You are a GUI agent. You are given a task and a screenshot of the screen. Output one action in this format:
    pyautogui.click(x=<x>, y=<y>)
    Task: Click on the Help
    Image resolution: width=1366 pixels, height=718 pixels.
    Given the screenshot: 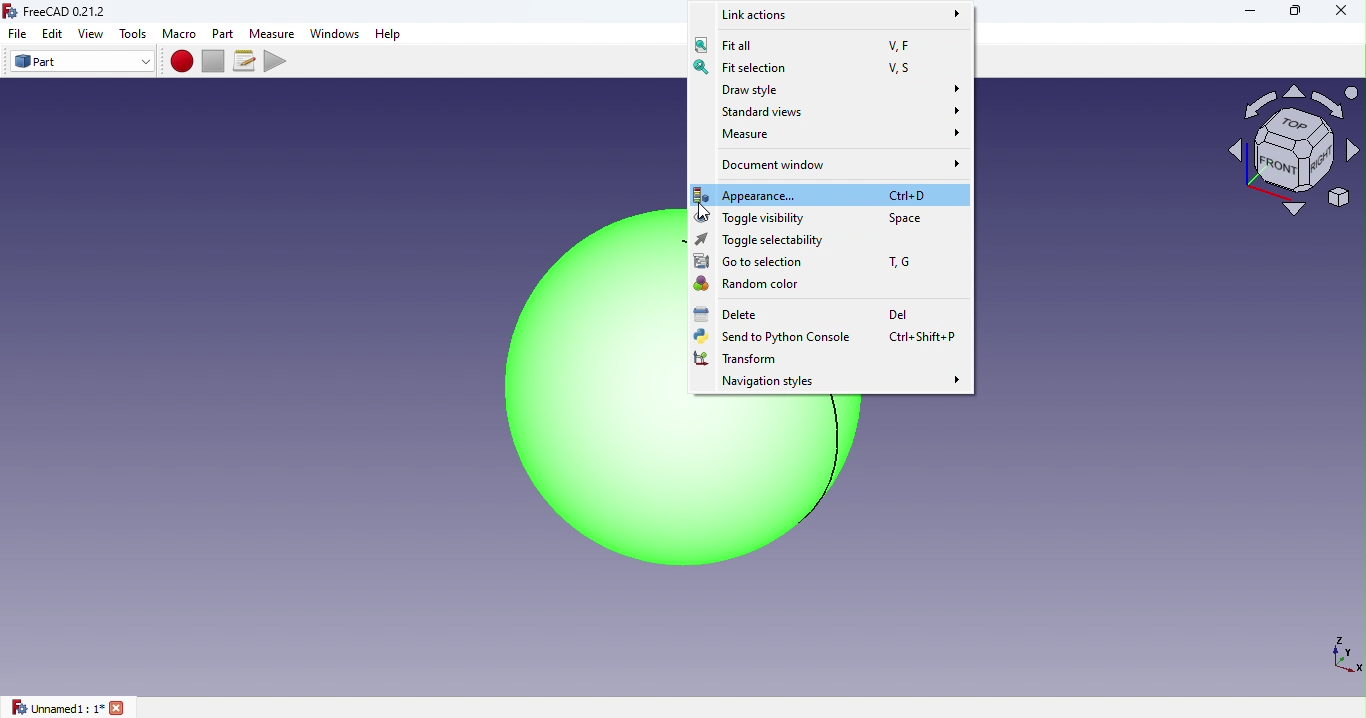 What is the action you would take?
    pyautogui.click(x=393, y=34)
    